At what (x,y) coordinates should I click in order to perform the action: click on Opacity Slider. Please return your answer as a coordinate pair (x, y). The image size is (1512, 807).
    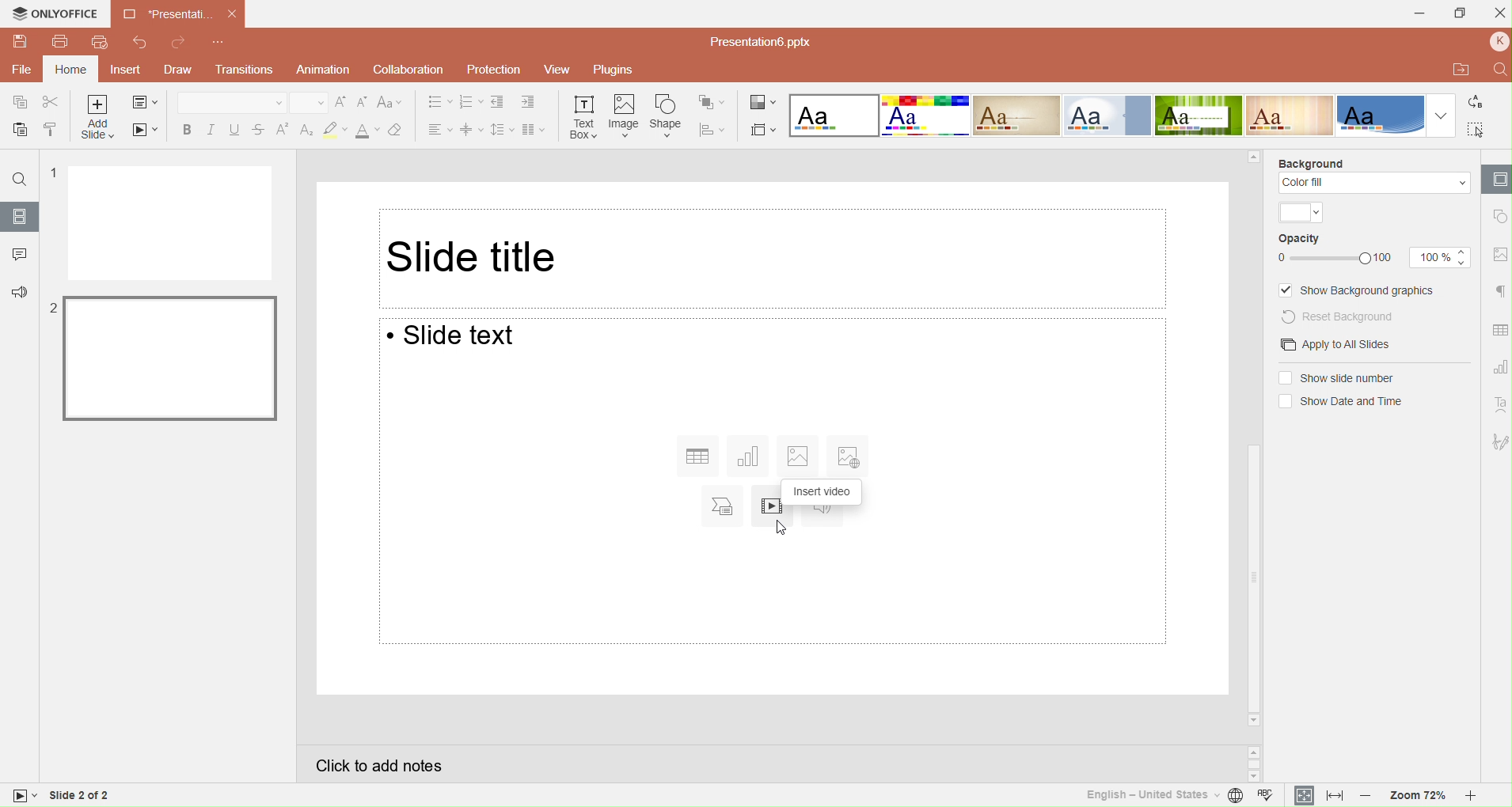
    Looking at the image, I should click on (1338, 259).